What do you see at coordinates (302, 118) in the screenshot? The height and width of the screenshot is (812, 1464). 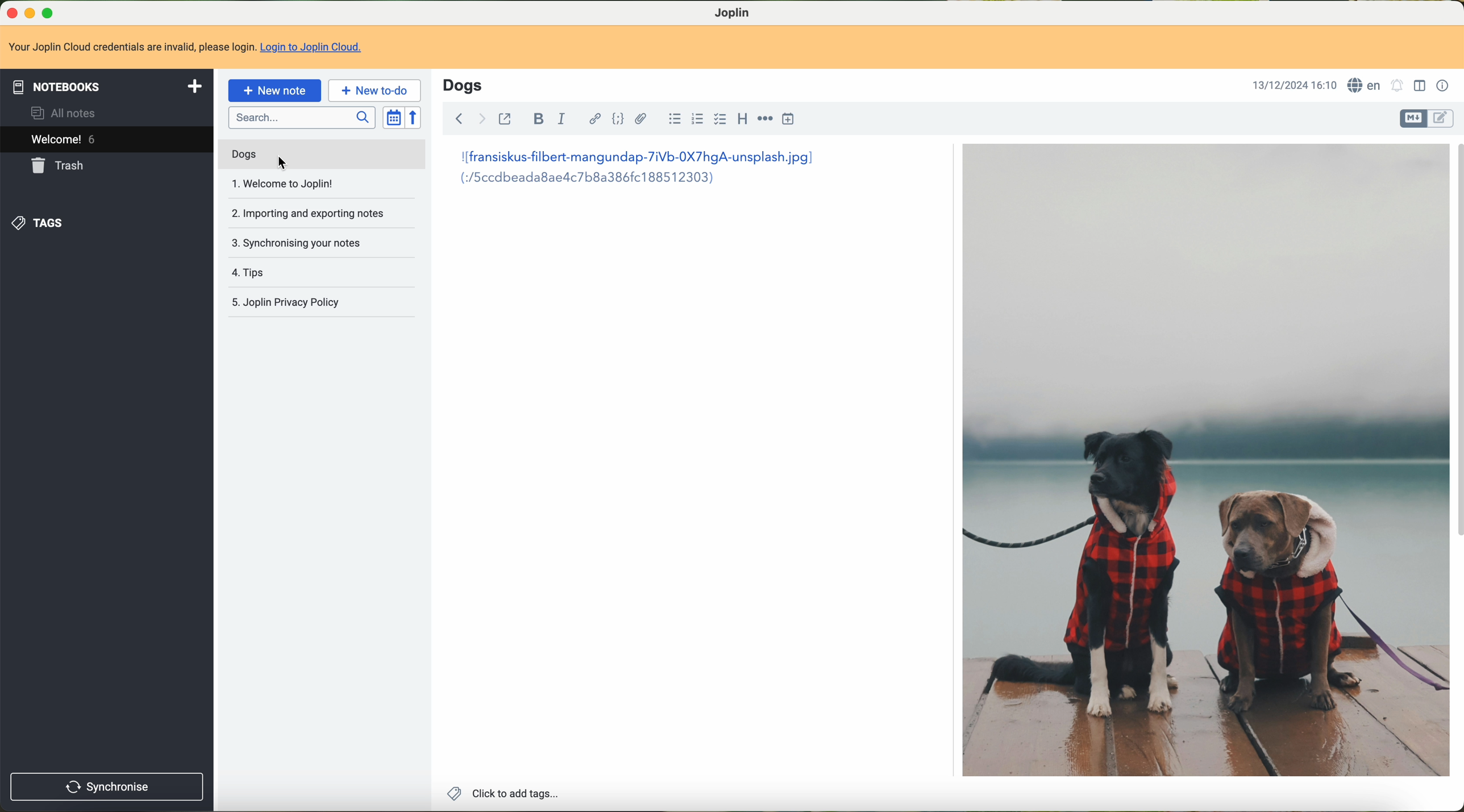 I see `search bar` at bounding box center [302, 118].